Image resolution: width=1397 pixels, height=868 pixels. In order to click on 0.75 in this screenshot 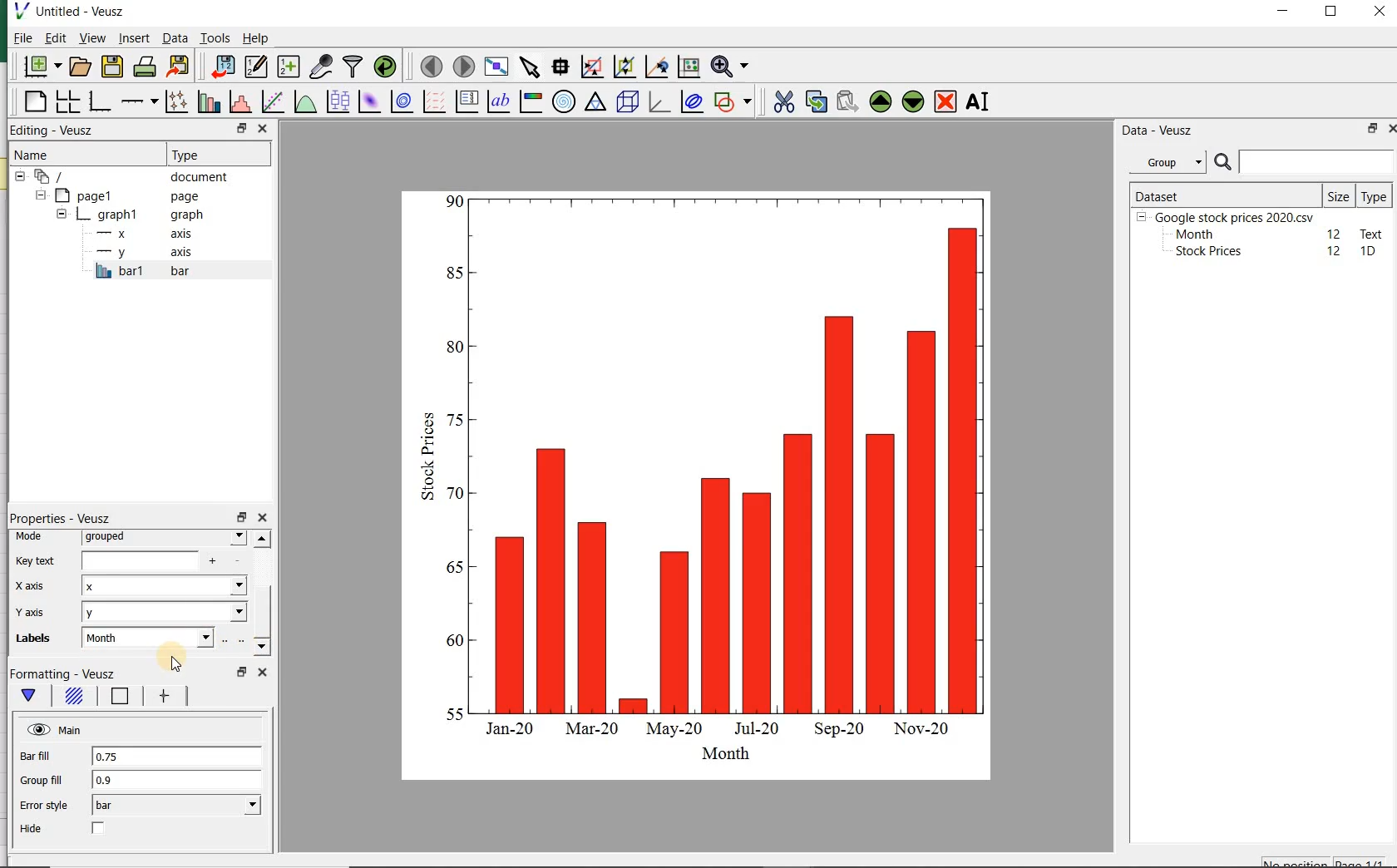, I will do `click(178, 757)`.